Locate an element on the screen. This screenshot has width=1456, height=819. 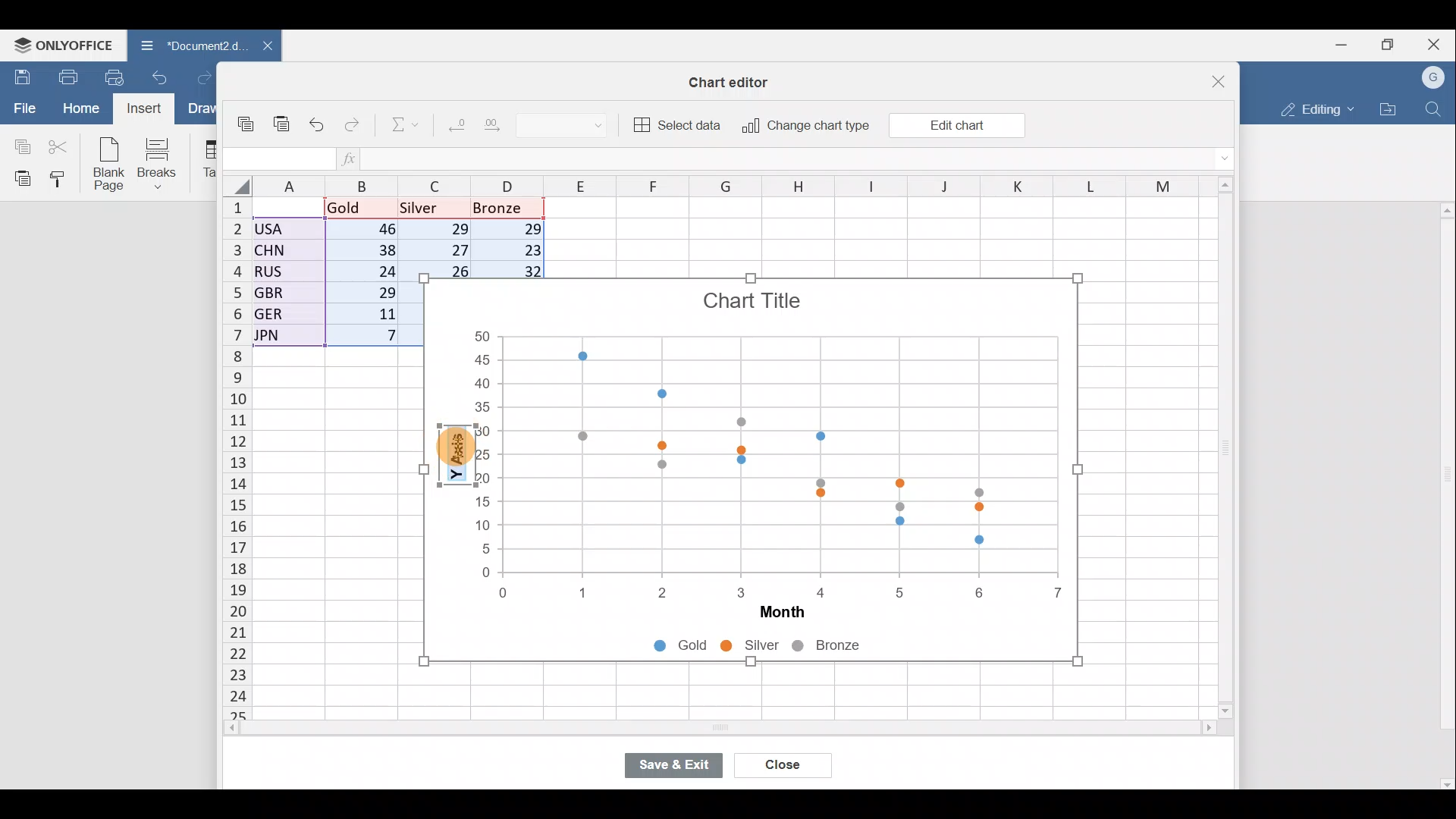
Chart editor is located at coordinates (736, 79).